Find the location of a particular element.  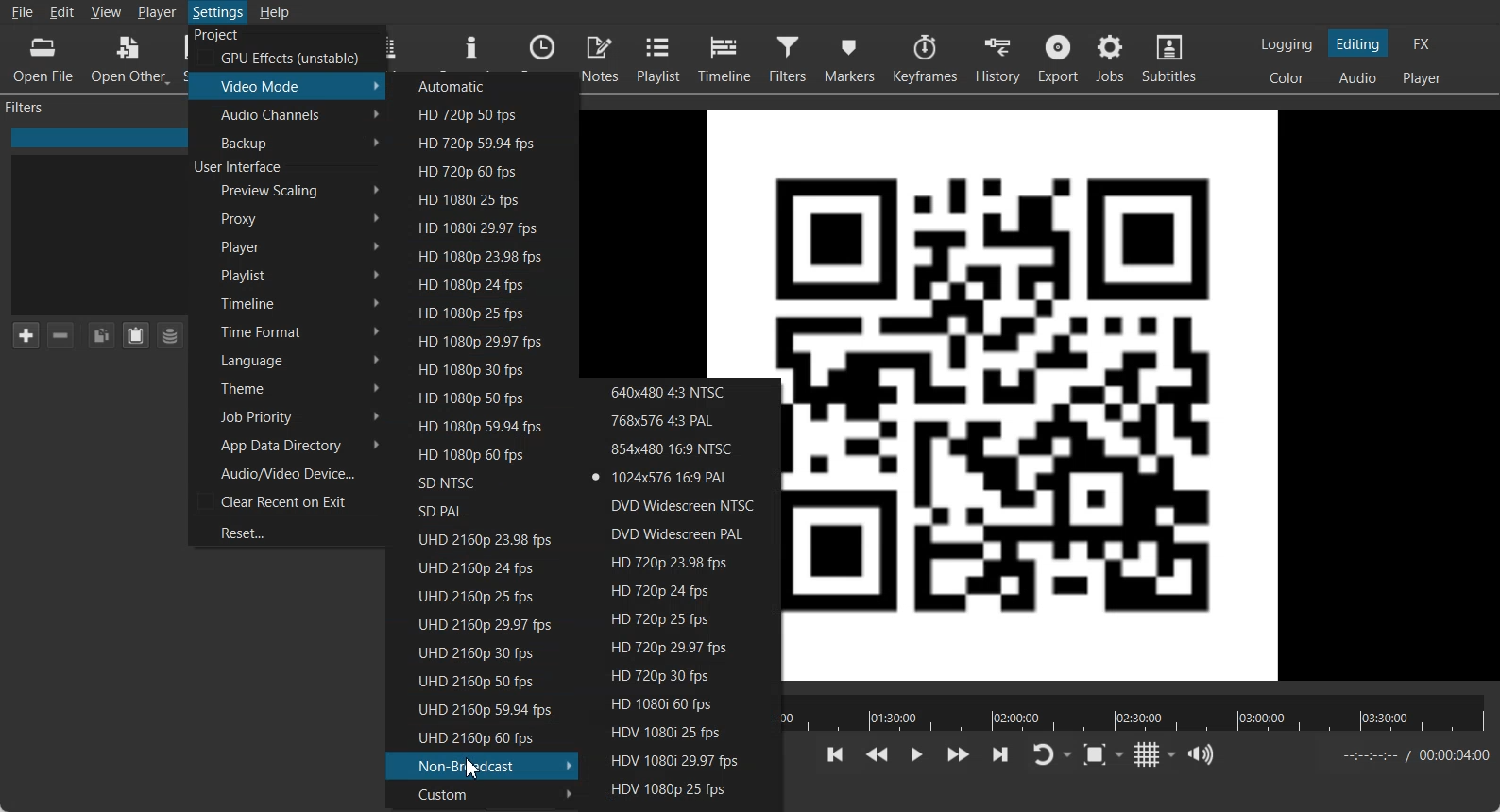

qr code is located at coordinates (748, 243).